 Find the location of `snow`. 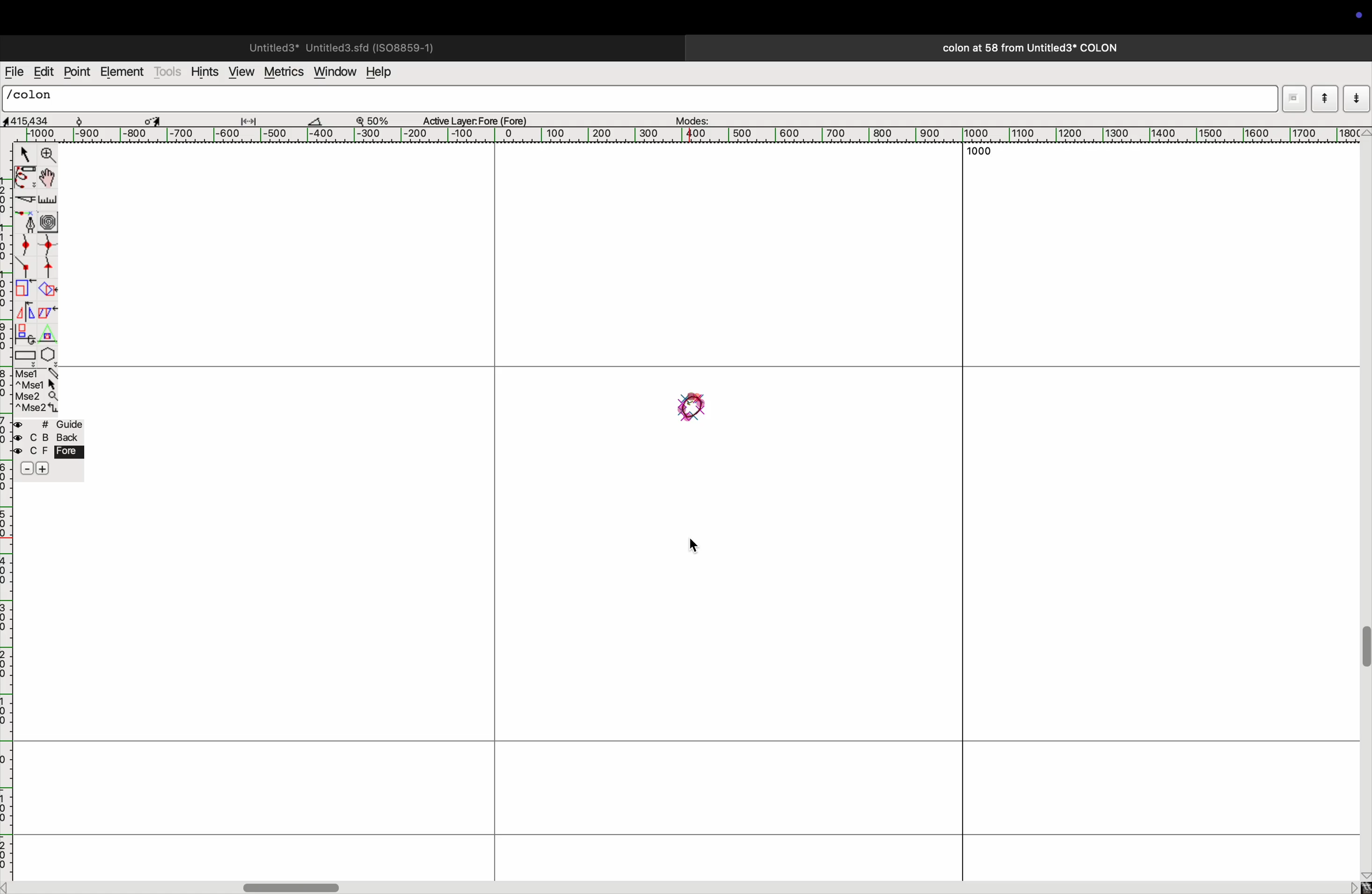

snow is located at coordinates (91, 119).